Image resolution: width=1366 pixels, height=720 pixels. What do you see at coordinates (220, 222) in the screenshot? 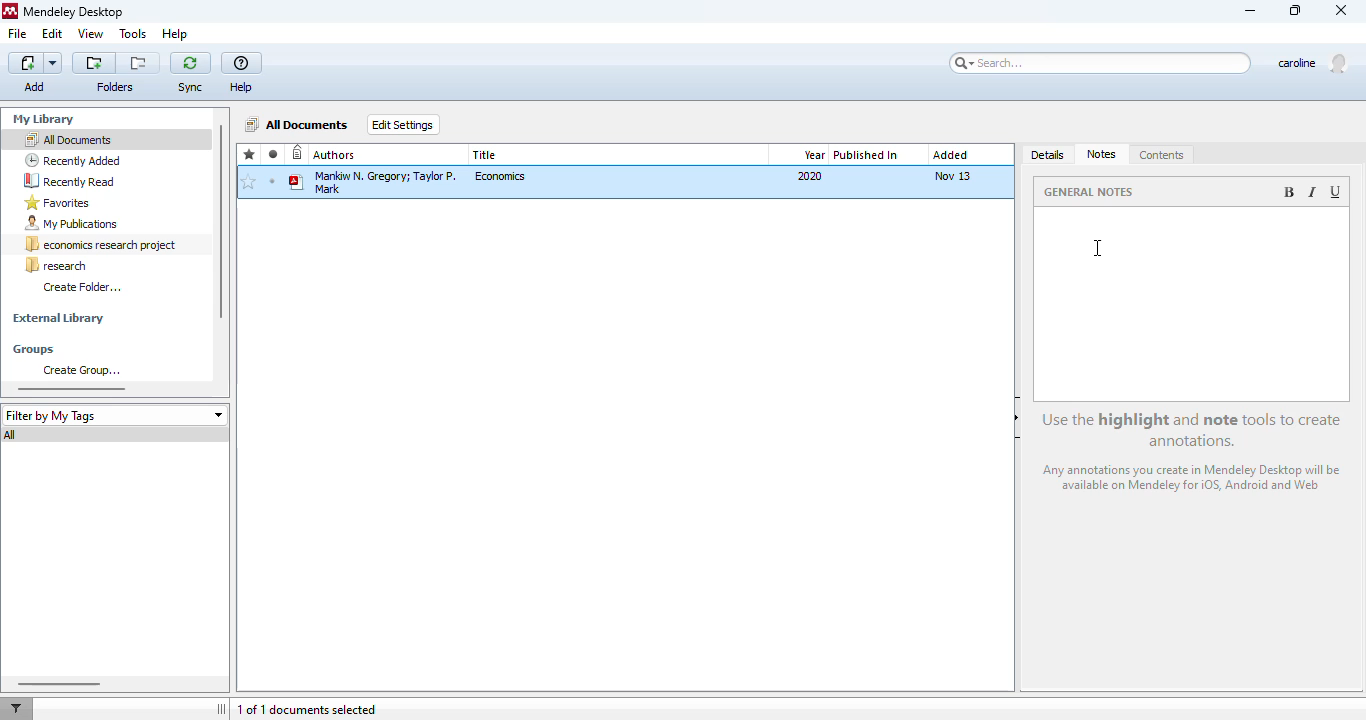
I see `vertical scroll bar` at bounding box center [220, 222].